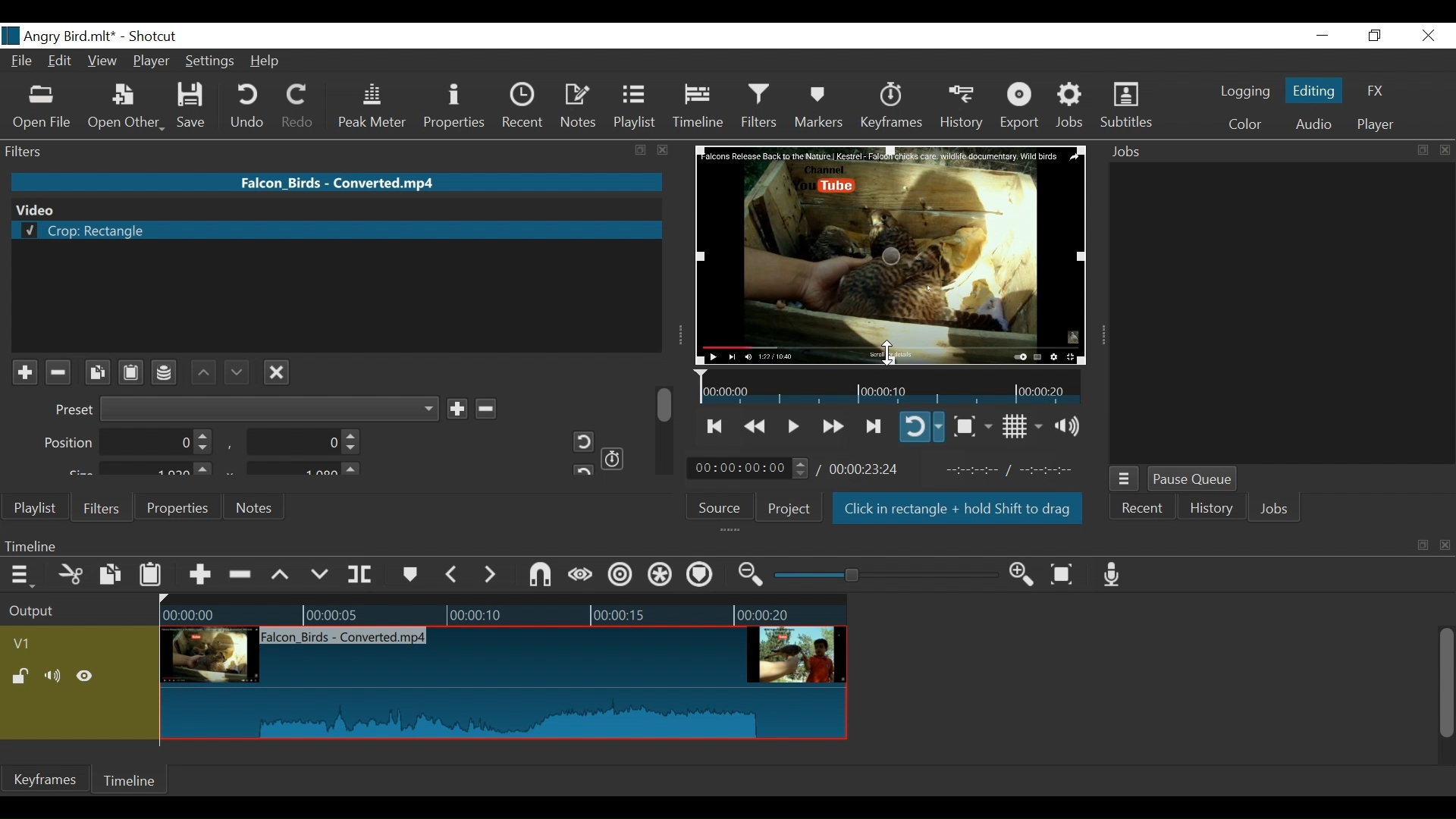  I want to click on Minus, so click(57, 372).